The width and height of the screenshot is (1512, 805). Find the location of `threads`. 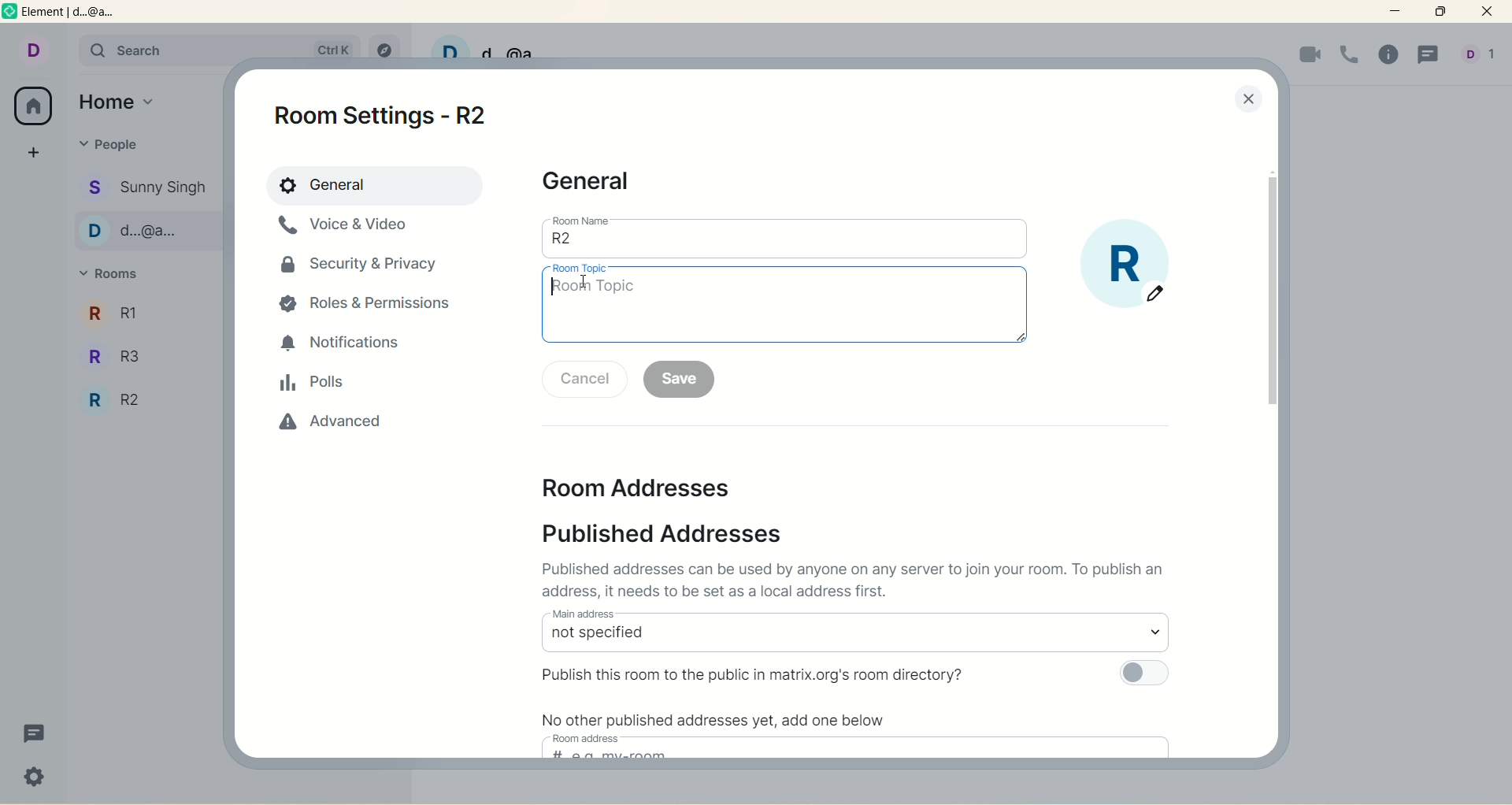

threads is located at coordinates (1428, 57).